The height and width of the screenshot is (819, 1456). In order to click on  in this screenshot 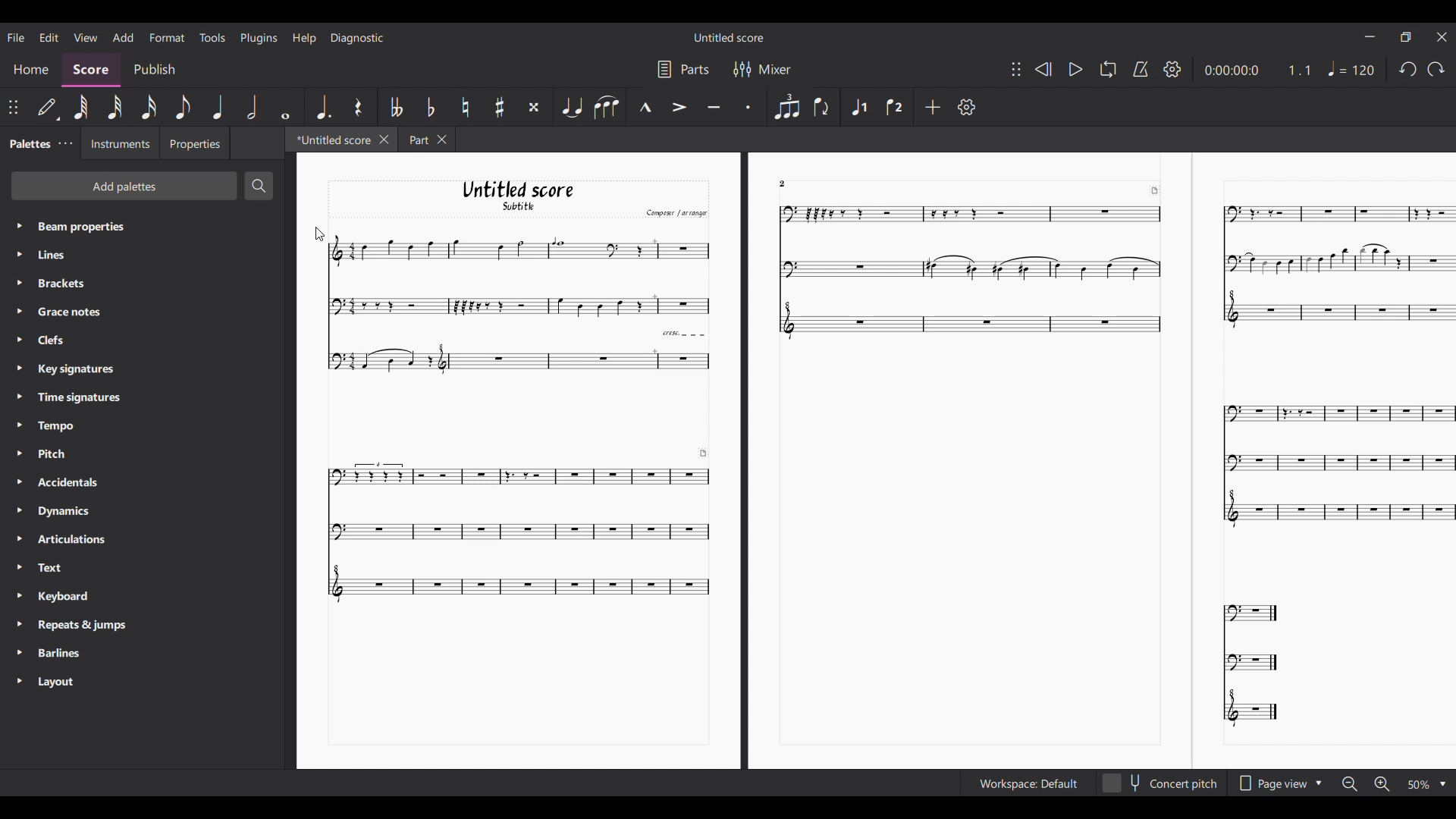, I will do `click(18, 312)`.